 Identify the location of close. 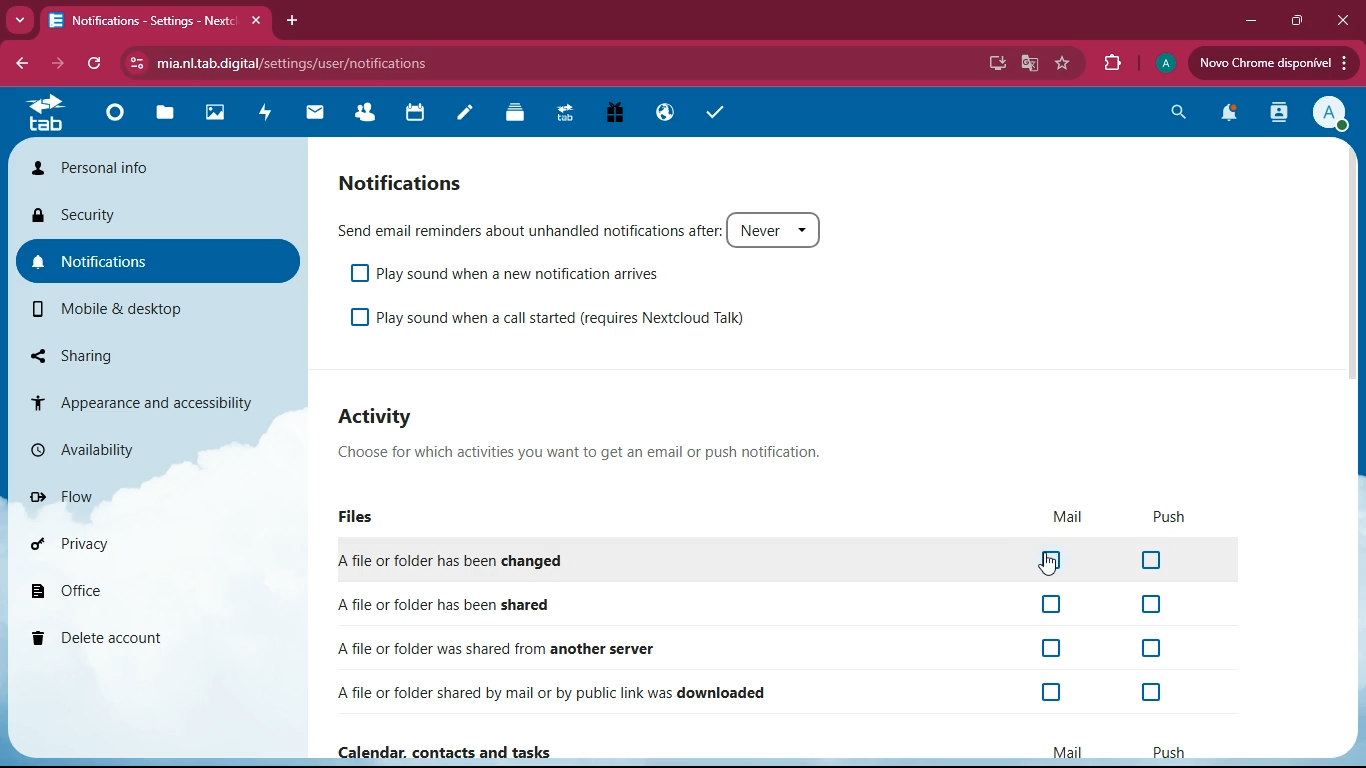
(1342, 19).